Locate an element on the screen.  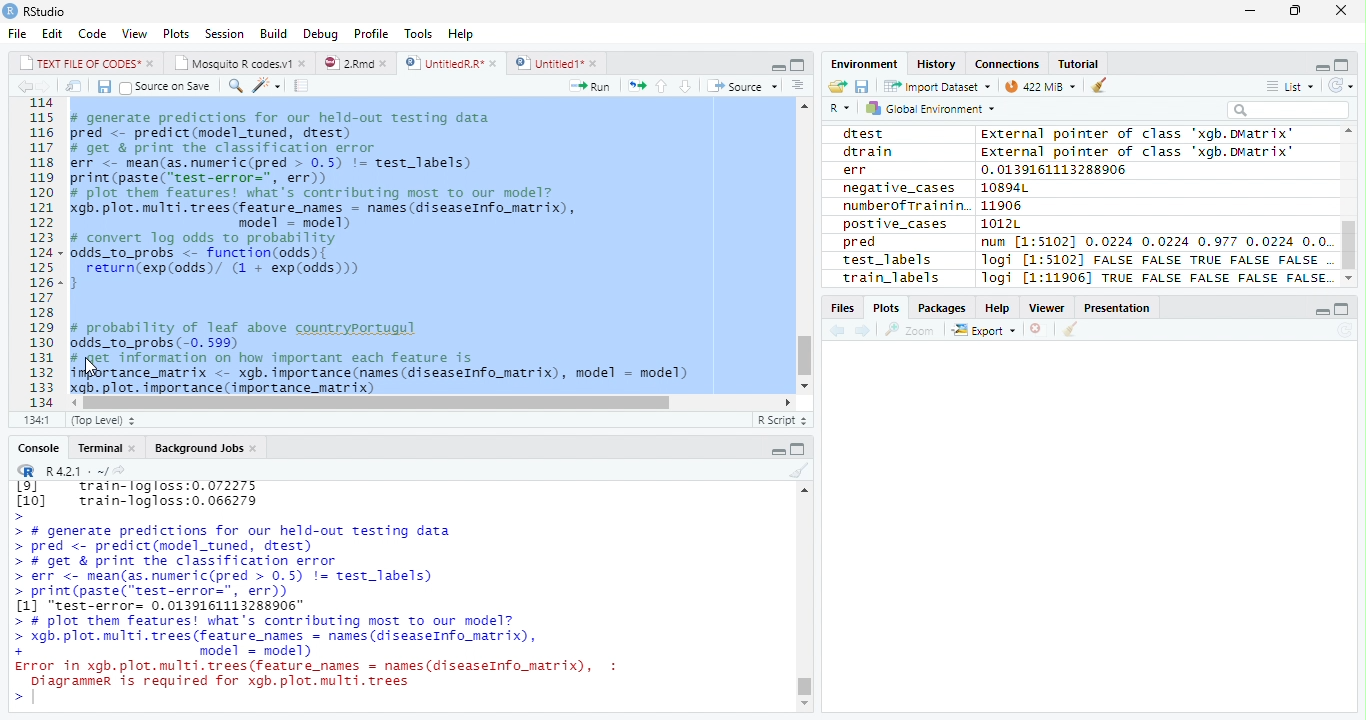
Close is located at coordinates (1340, 11).